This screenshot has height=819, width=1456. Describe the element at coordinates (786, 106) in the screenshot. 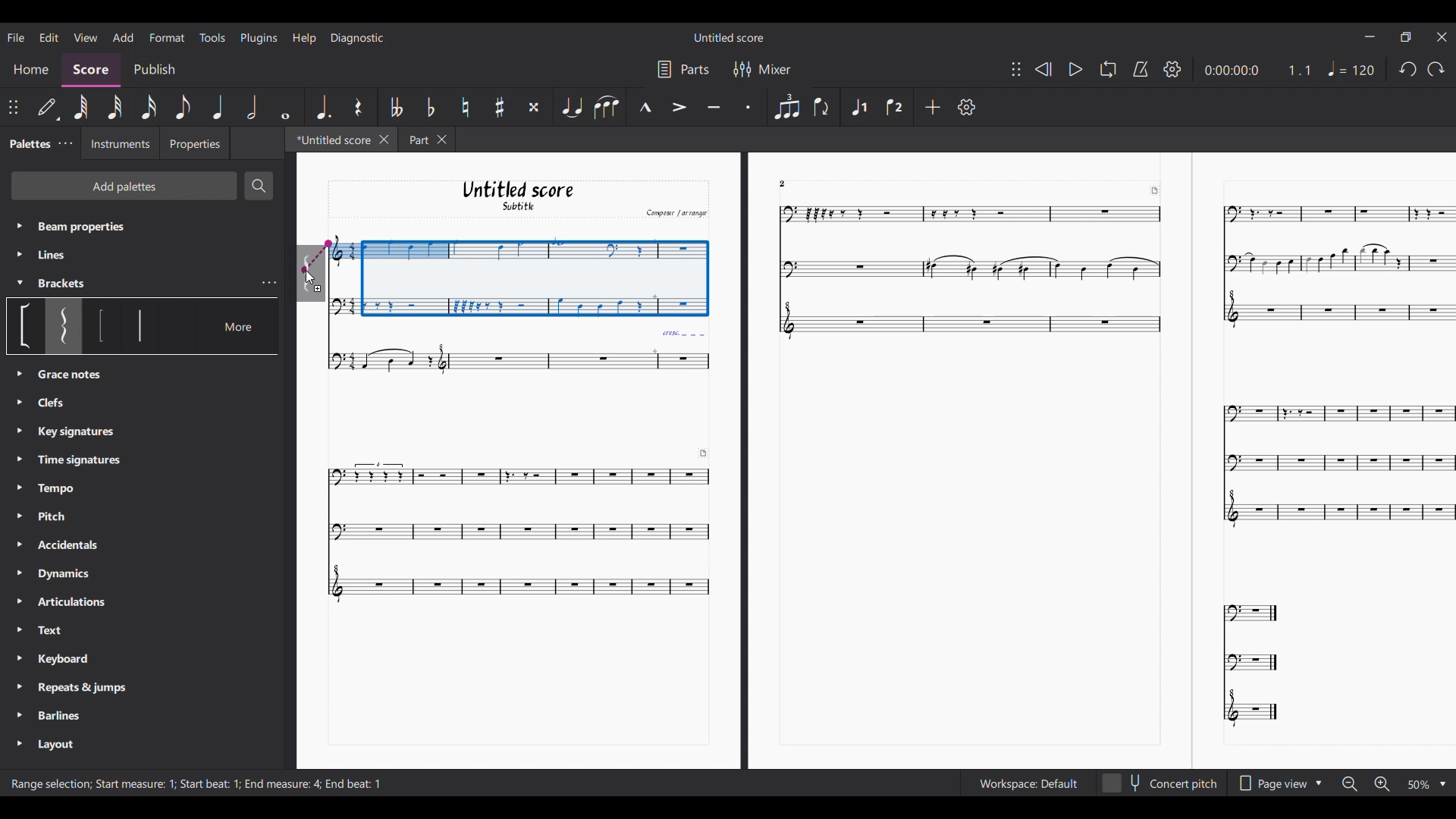

I see `Tuplet` at that location.